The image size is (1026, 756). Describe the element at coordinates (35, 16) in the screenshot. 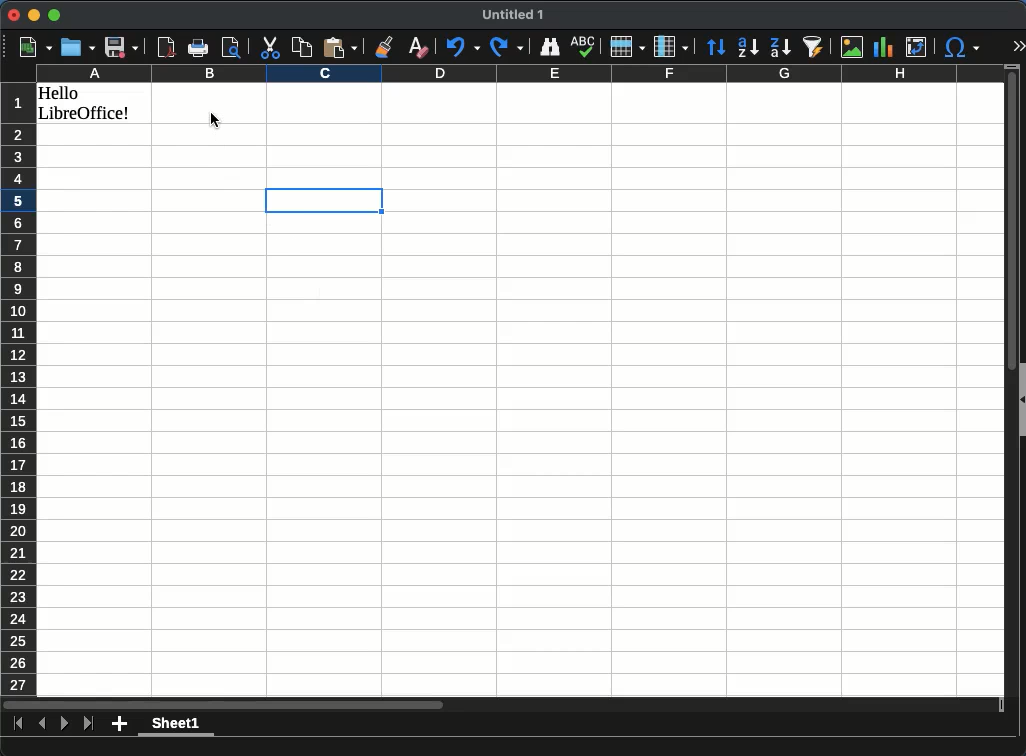

I see `minimize` at that location.